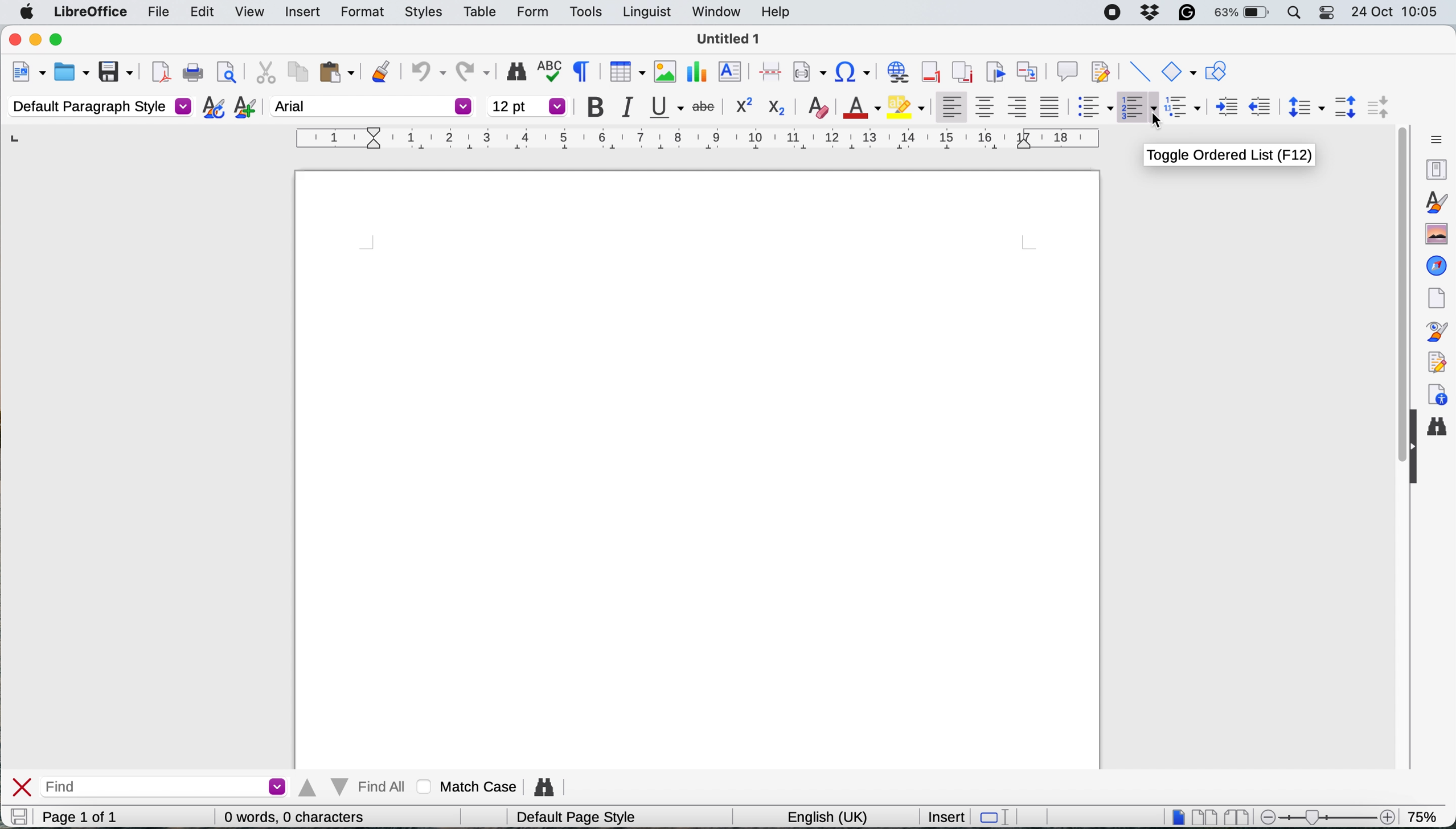  Describe the element at coordinates (27, 74) in the screenshot. I see `new` at that location.